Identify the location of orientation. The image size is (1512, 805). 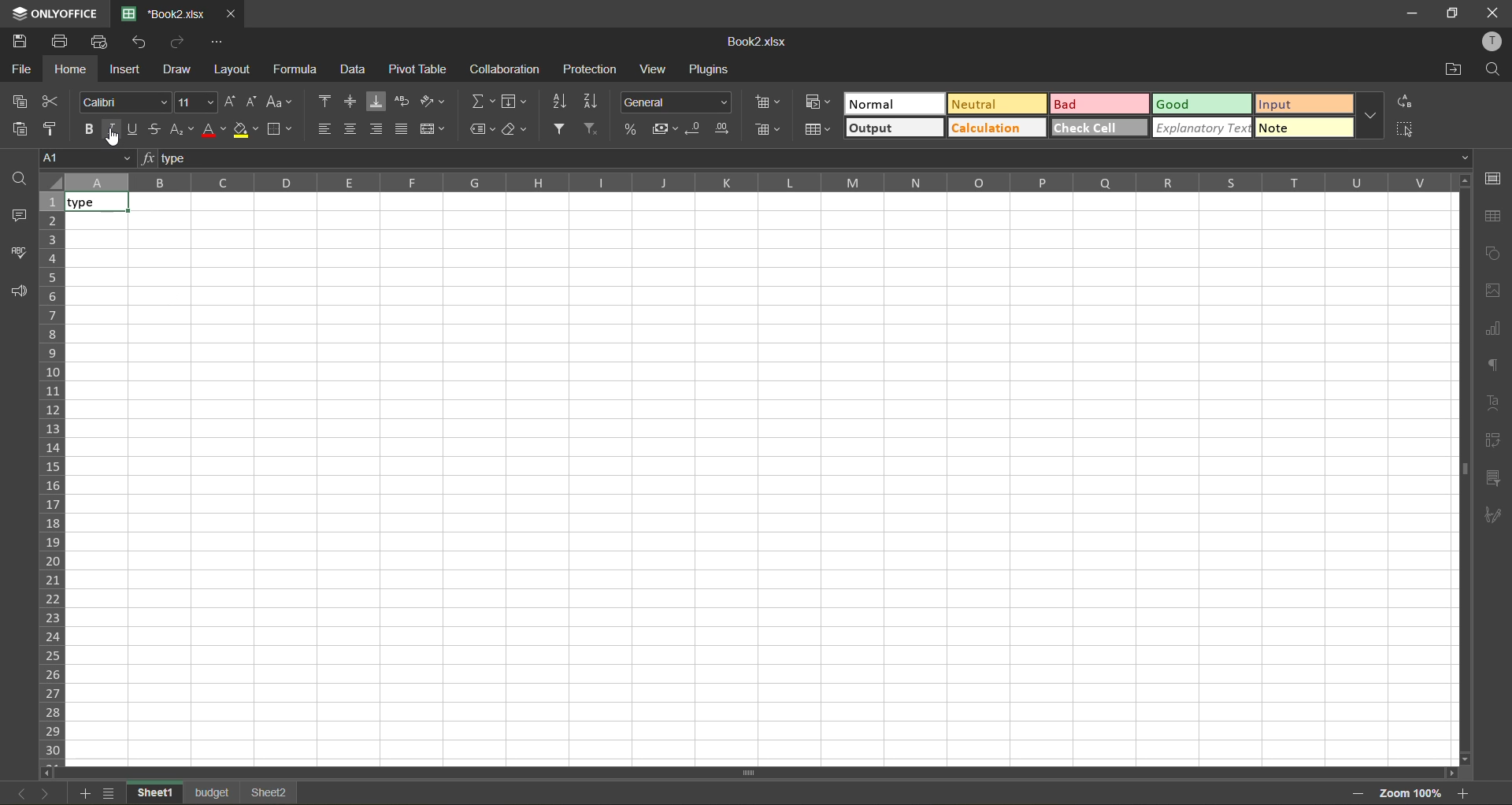
(434, 101).